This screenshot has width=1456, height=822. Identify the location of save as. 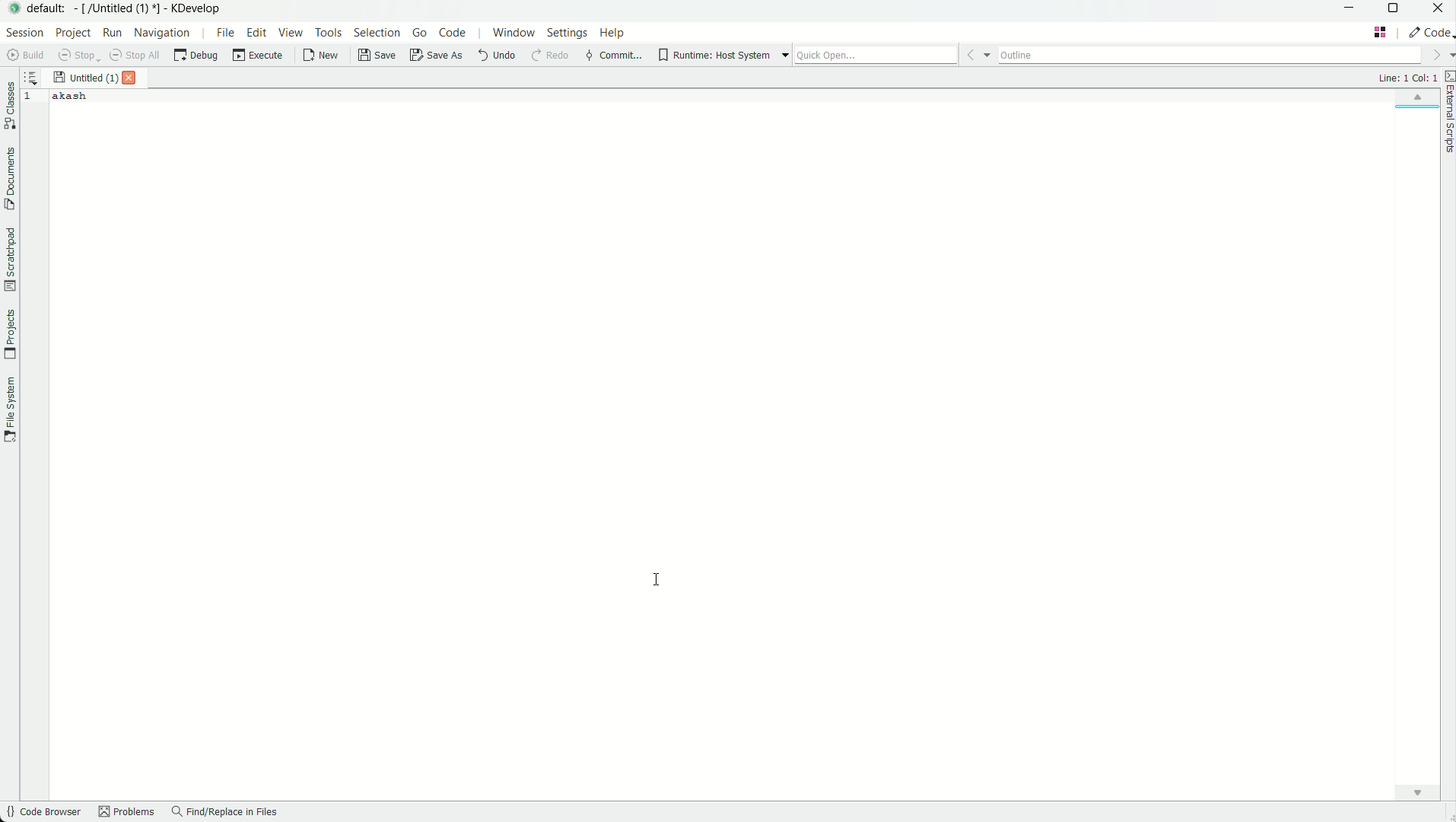
(437, 56).